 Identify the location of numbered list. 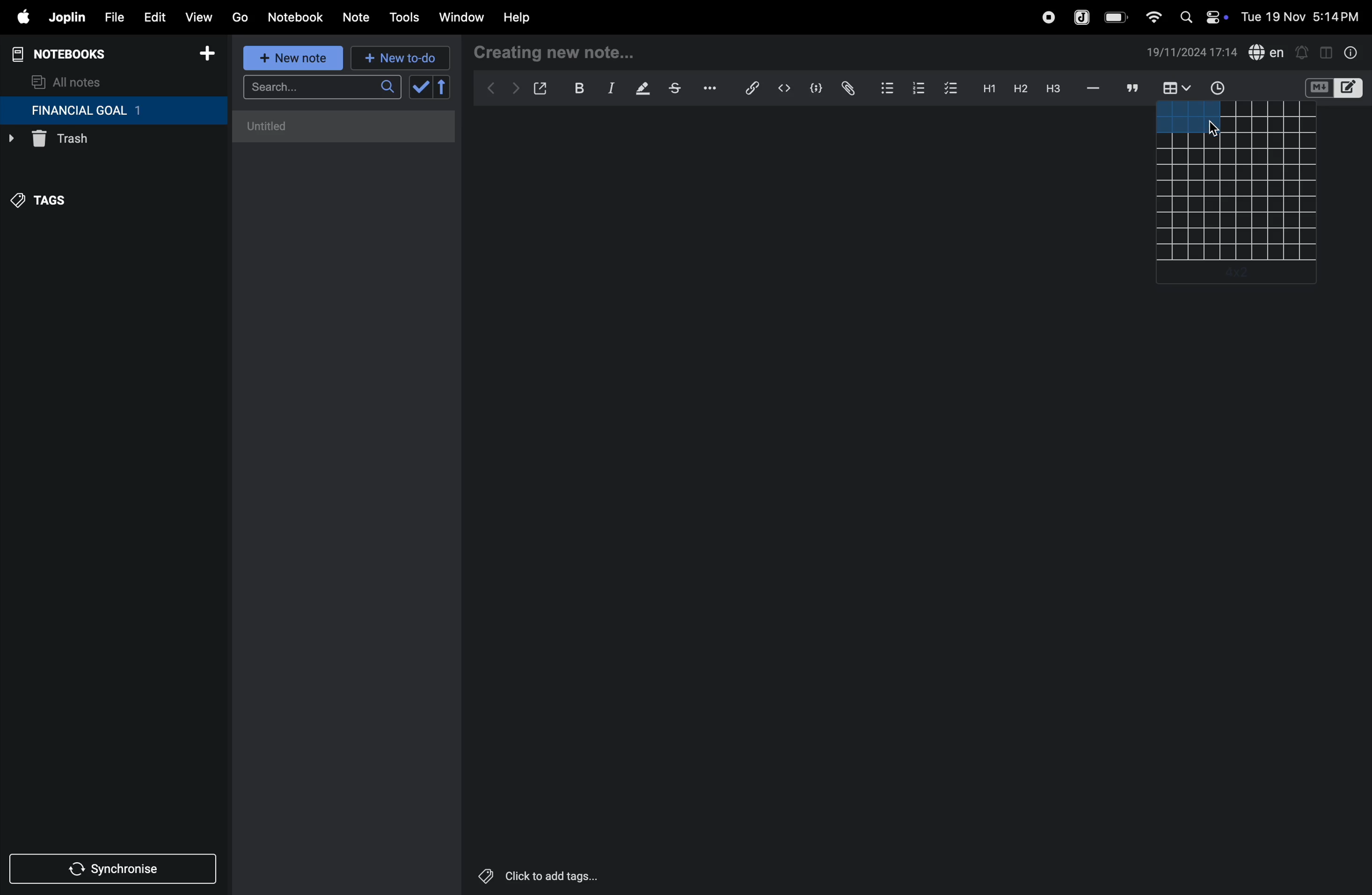
(918, 88).